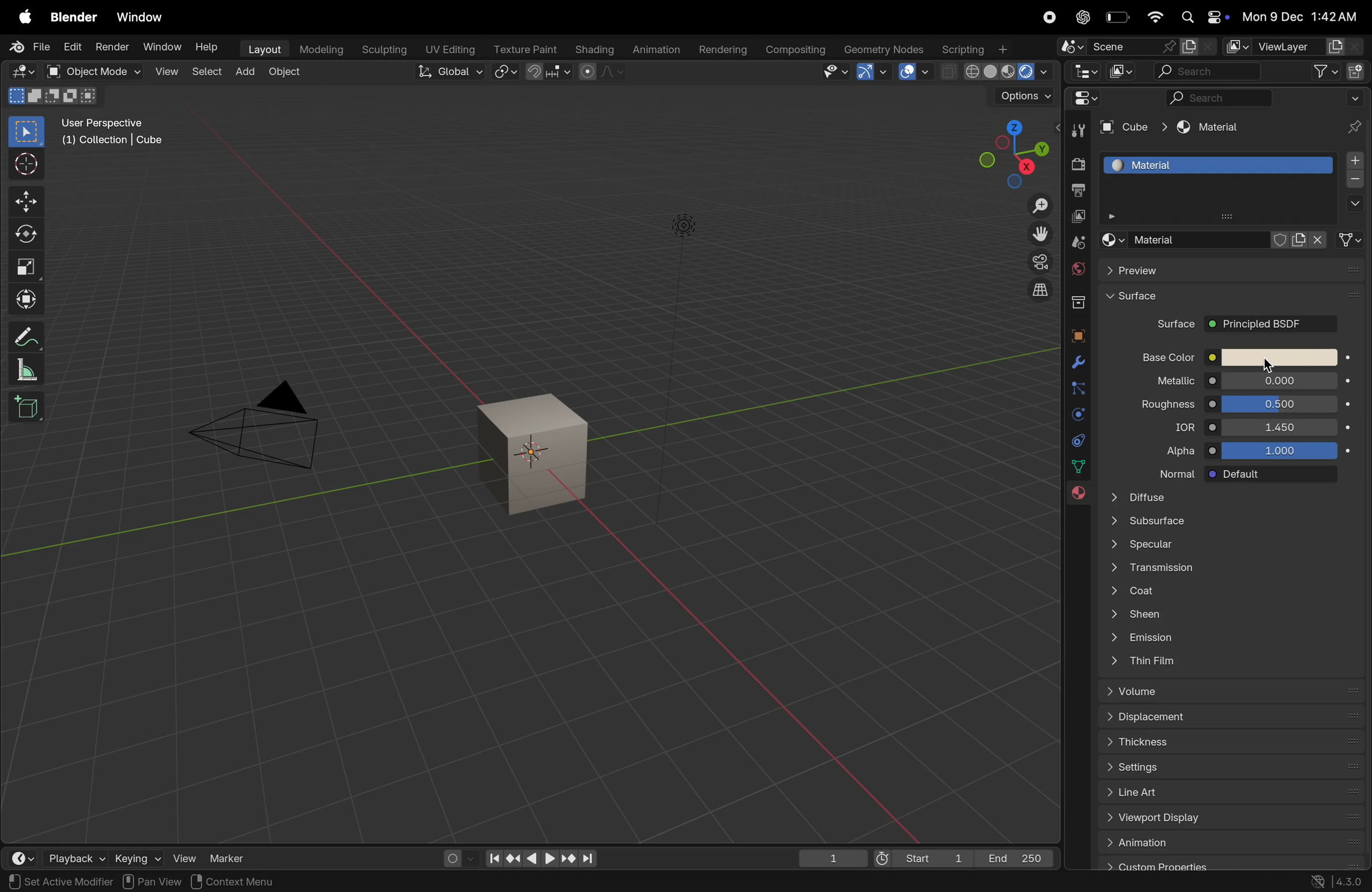 The image size is (1372, 892). What do you see at coordinates (541, 860) in the screenshot?
I see `play back controls` at bounding box center [541, 860].